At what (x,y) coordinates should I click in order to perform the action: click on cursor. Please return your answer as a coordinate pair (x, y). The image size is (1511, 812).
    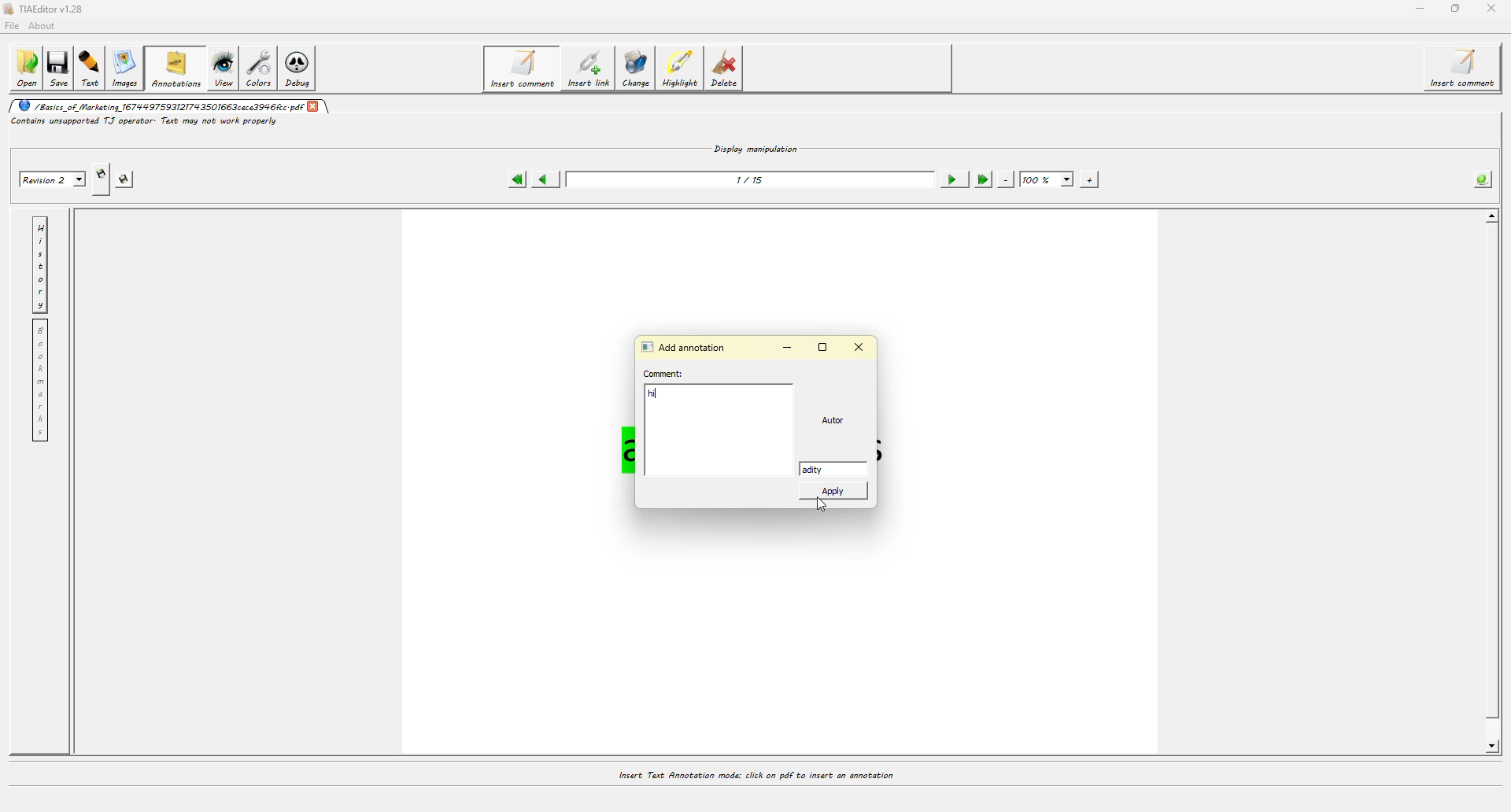
    Looking at the image, I should click on (822, 504).